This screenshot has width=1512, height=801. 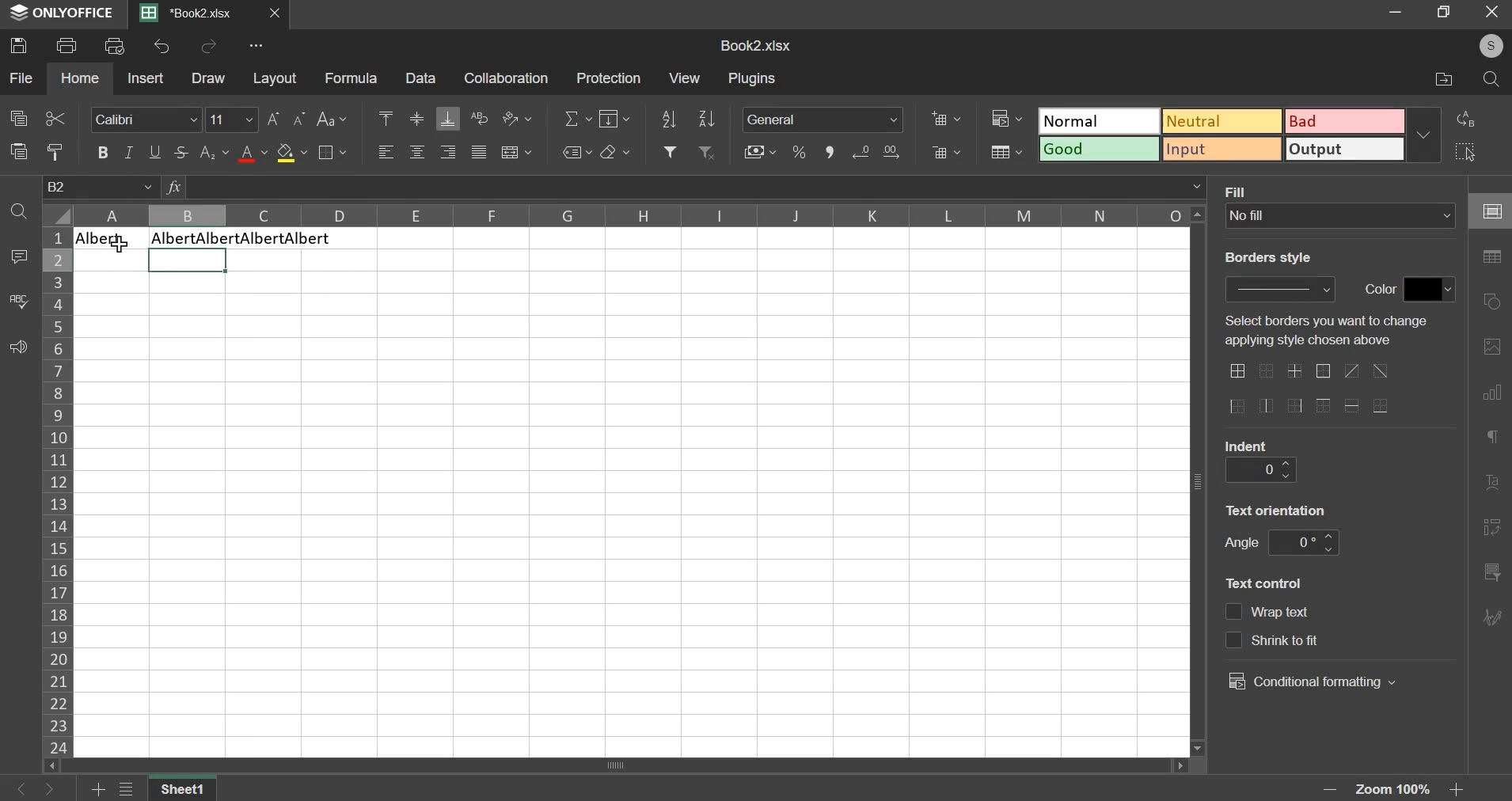 I want to click on feedback, so click(x=17, y=346).